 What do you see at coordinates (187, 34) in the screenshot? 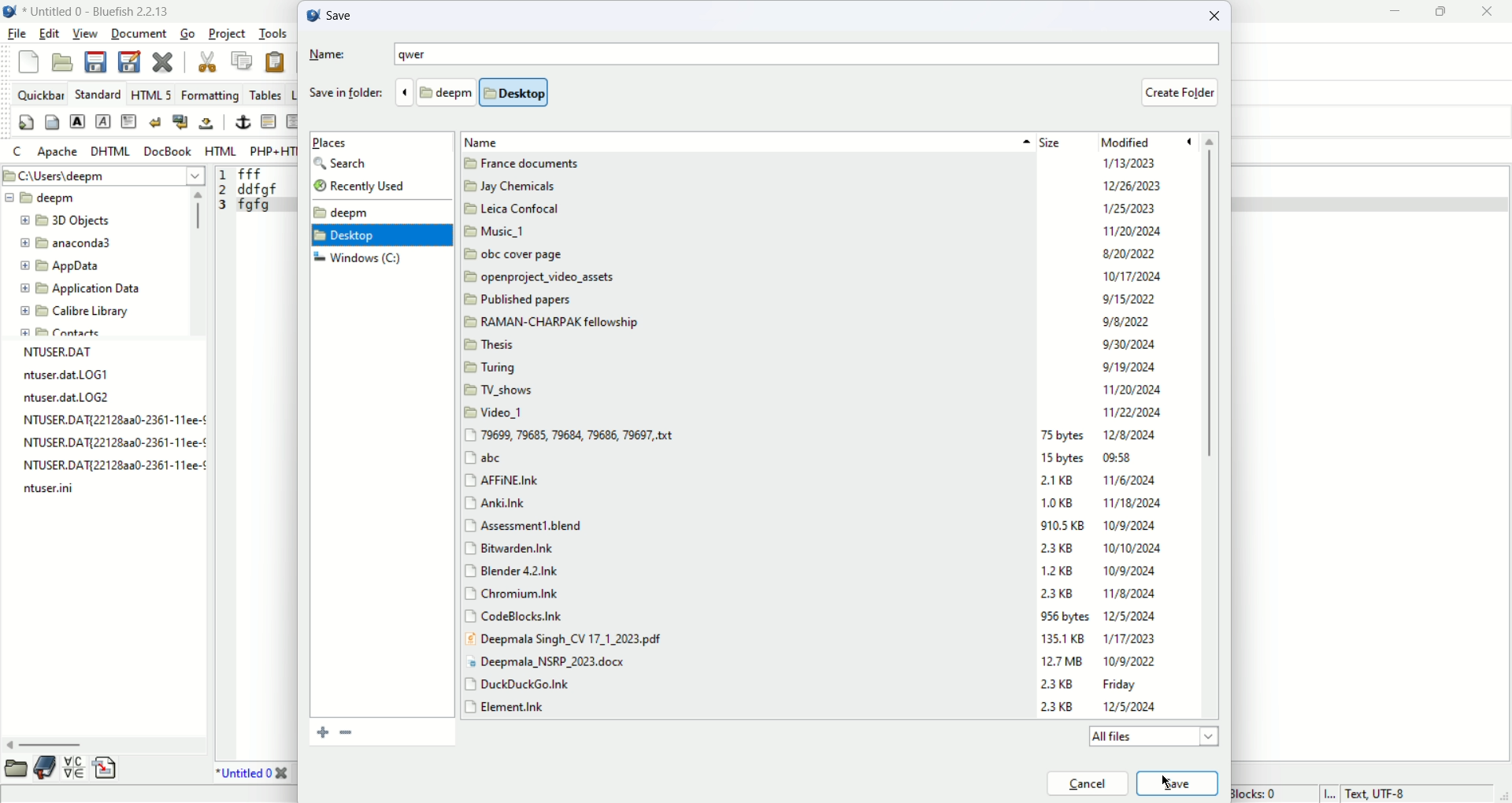
I see `go` at bounding box center [187, 34].